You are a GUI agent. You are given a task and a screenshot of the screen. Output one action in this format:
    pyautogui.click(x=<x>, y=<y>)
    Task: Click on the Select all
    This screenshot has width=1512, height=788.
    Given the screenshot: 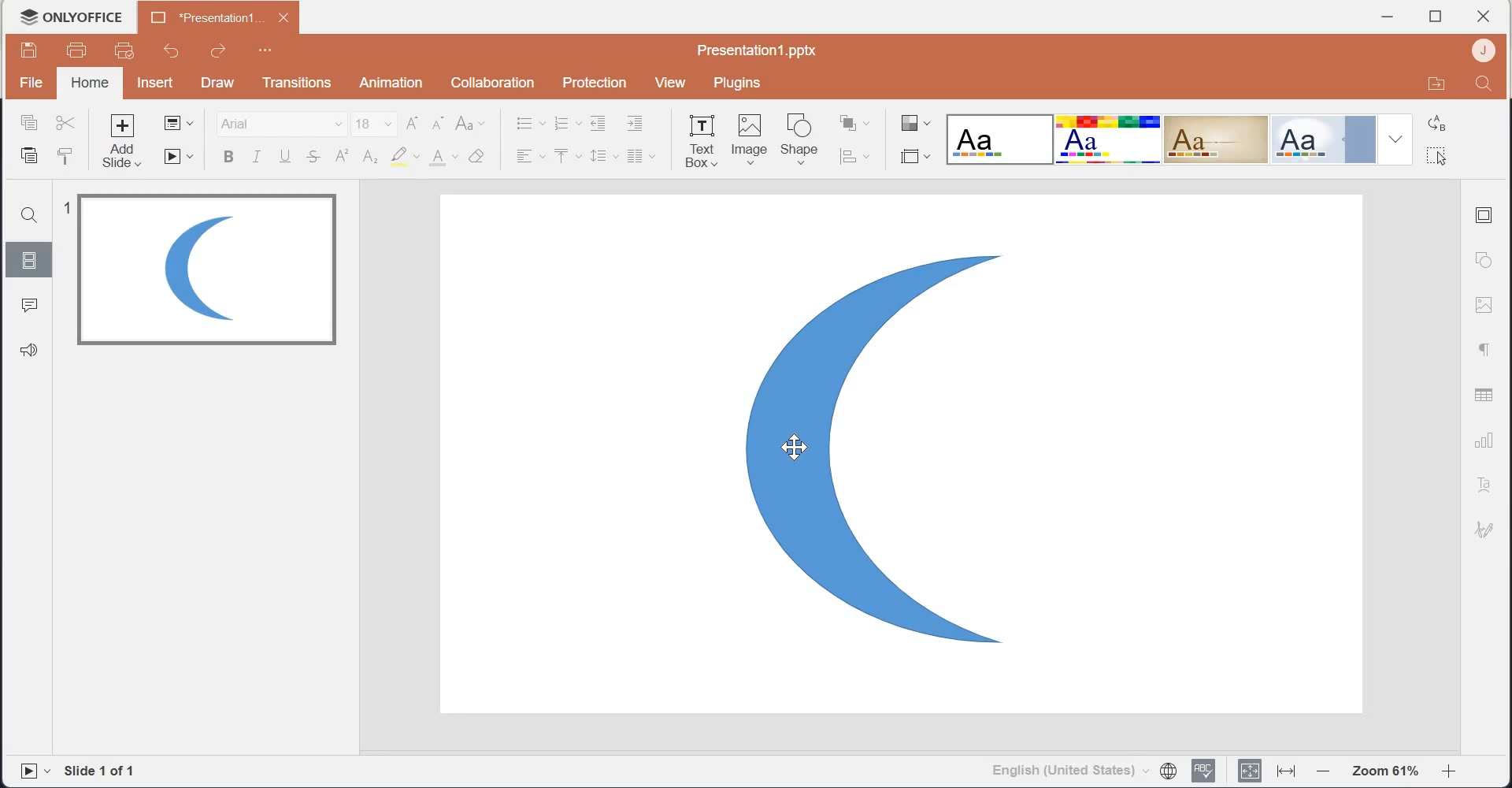 What is the action you would take?
    pyautogui.click(x=1444, y=153)
    